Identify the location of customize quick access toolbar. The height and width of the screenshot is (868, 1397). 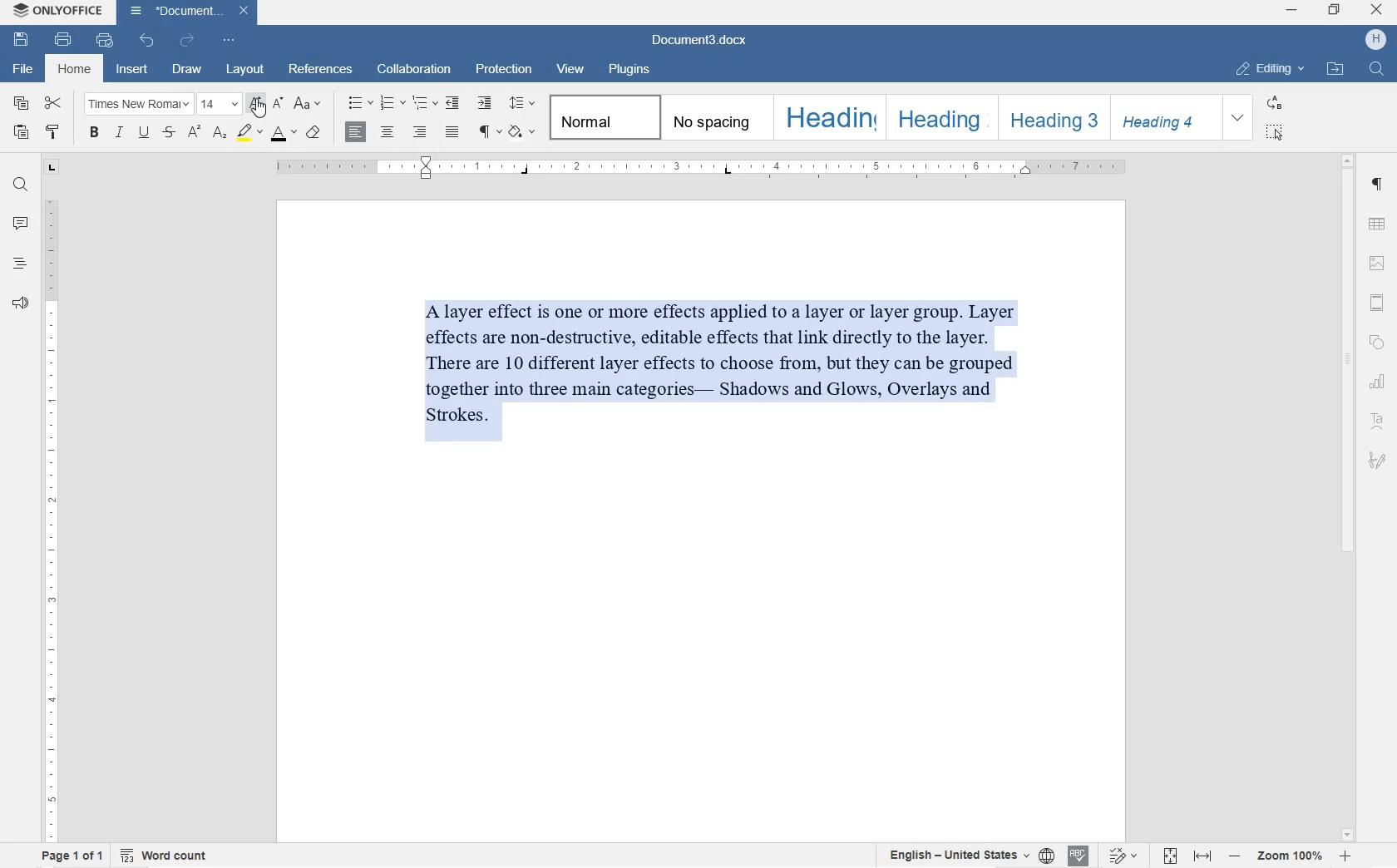
(229, 40).